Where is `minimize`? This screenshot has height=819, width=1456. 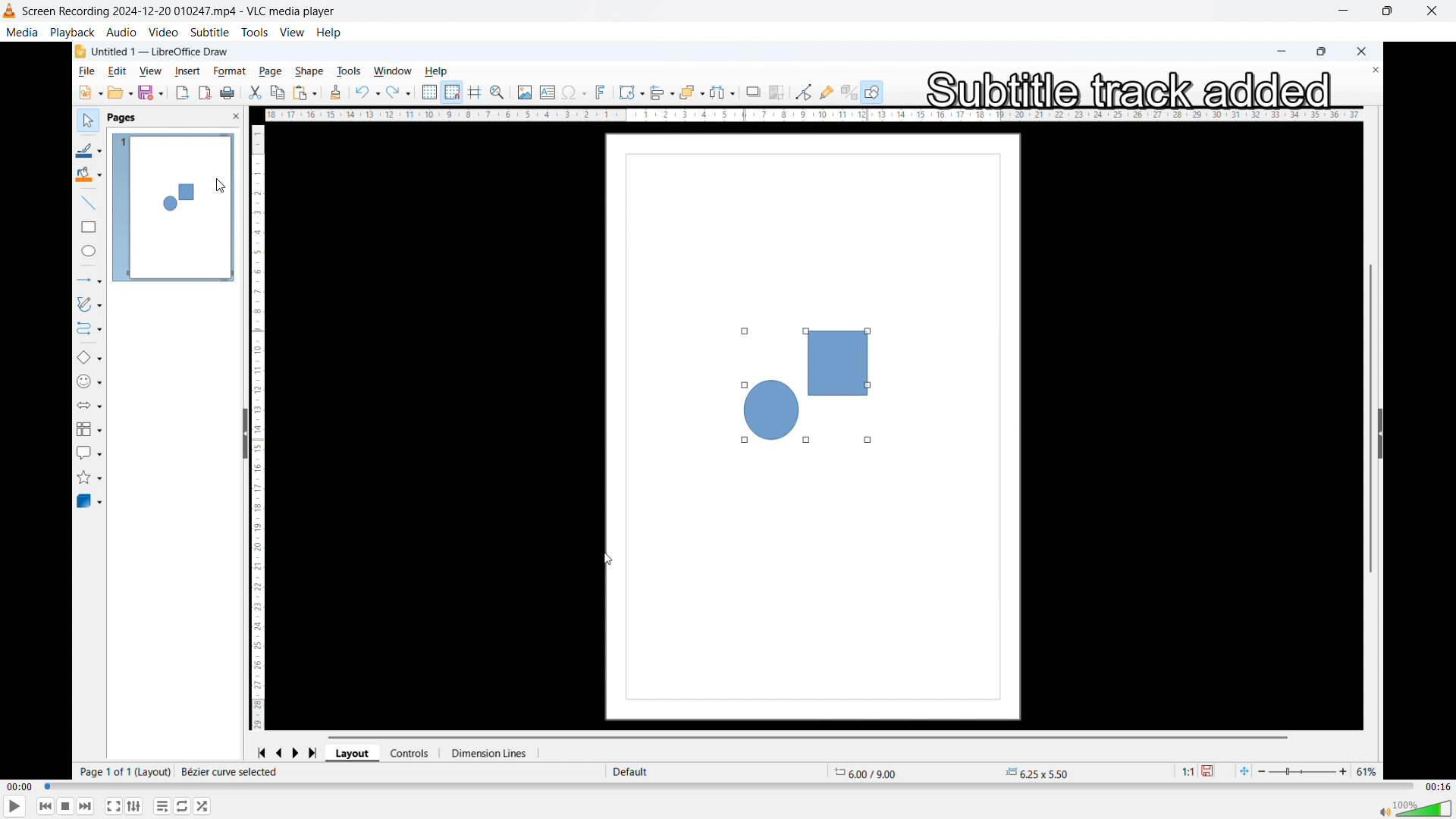
minimize is located at coordinates (1278, 50).